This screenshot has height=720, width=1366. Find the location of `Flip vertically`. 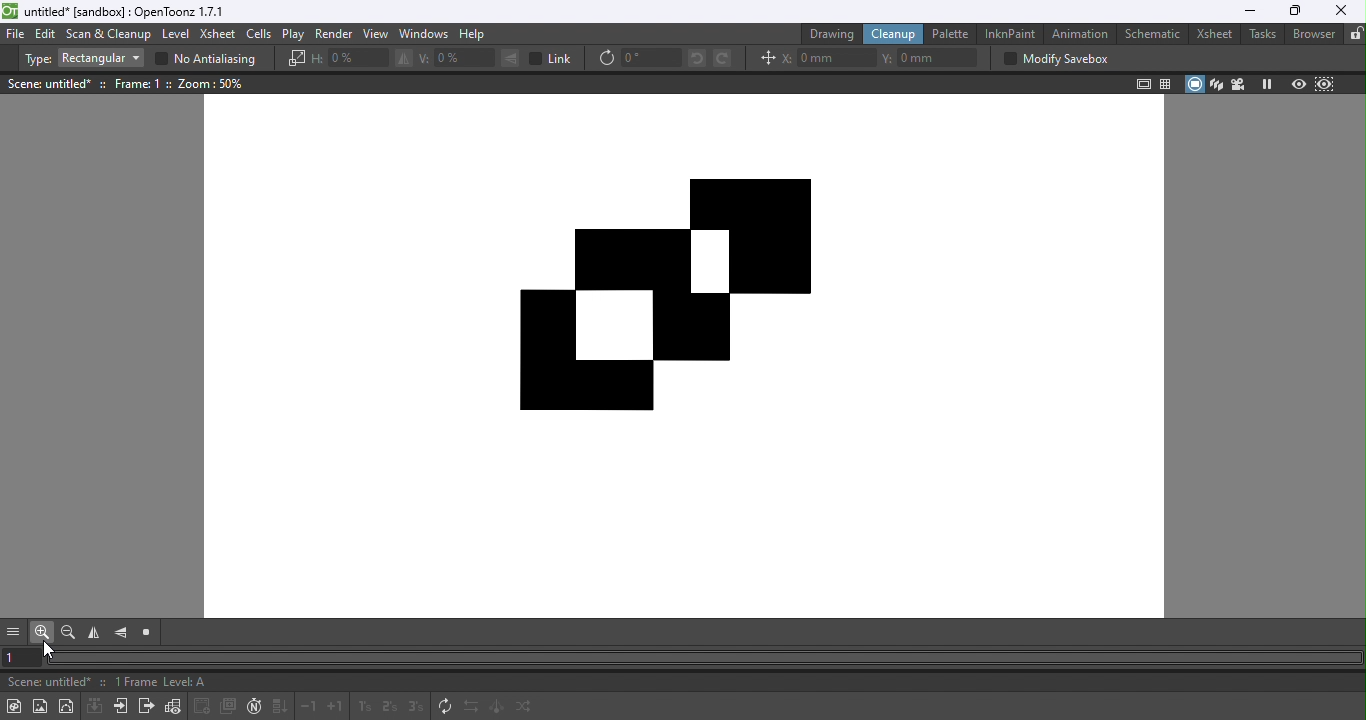

Flip vertically is located at coordinates (123, 635).